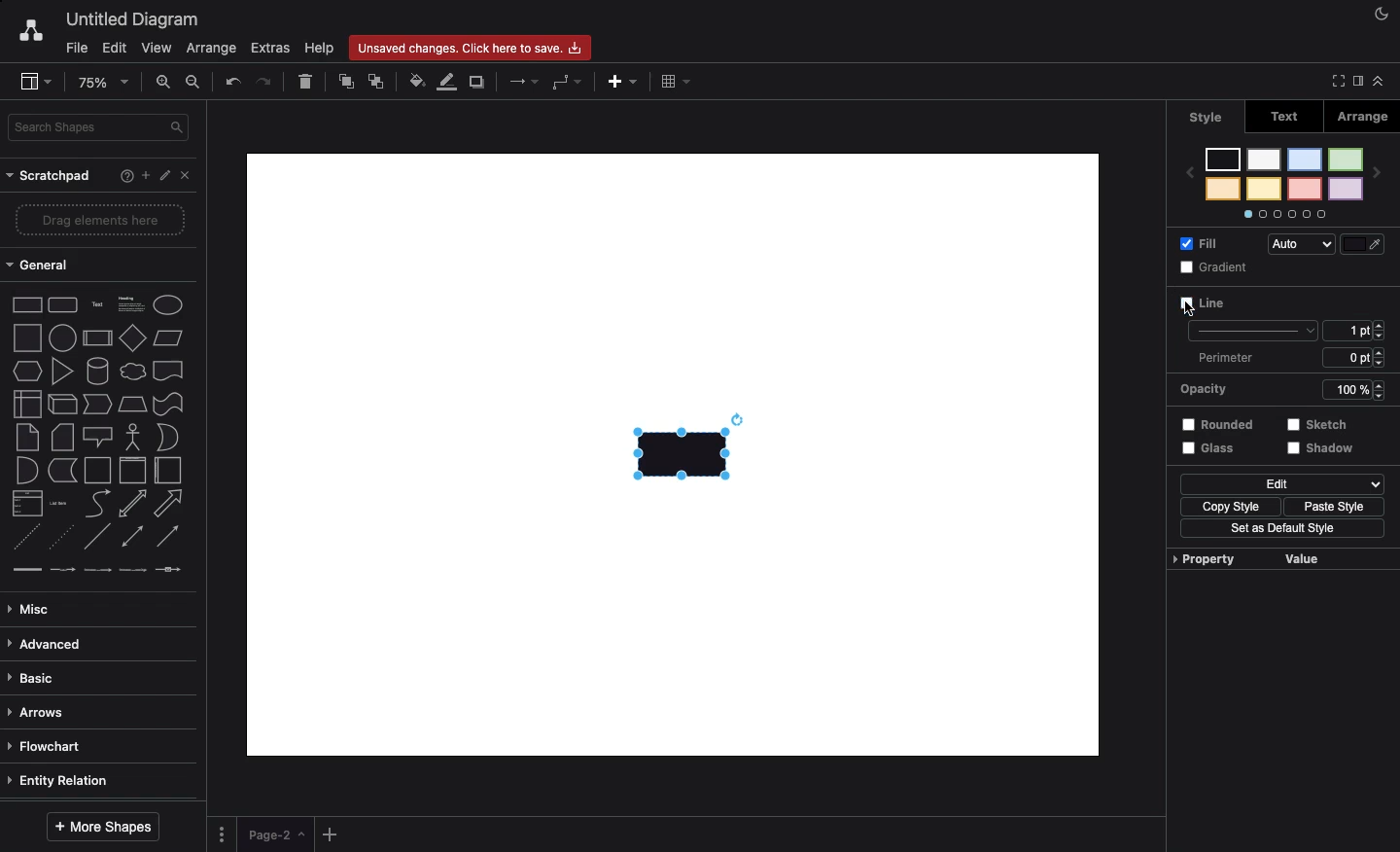  I want to click on Unsaved, so click(471, 50).